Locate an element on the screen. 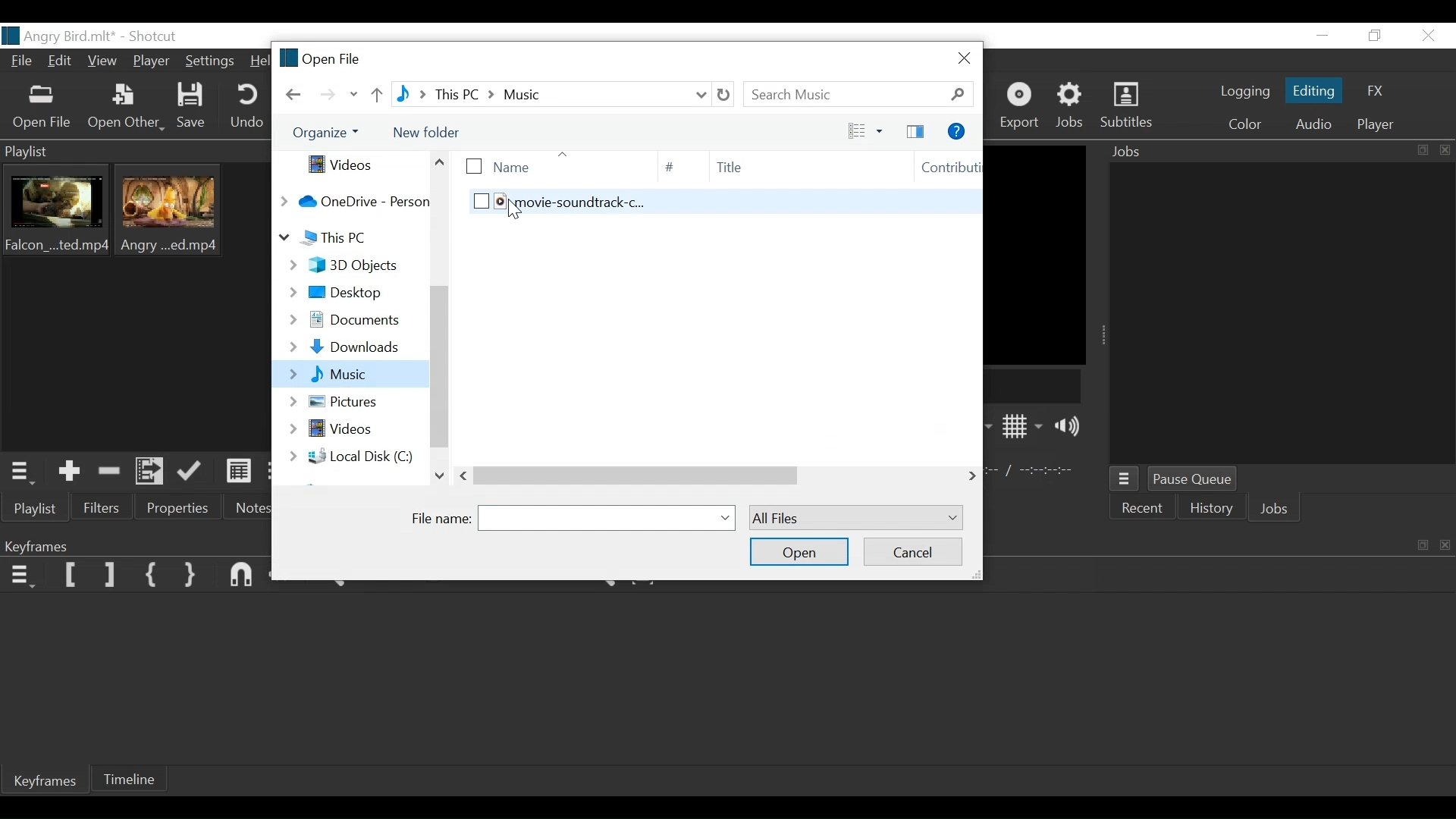 The image size is (1456, 819).  is located at coordinates (692, 475).